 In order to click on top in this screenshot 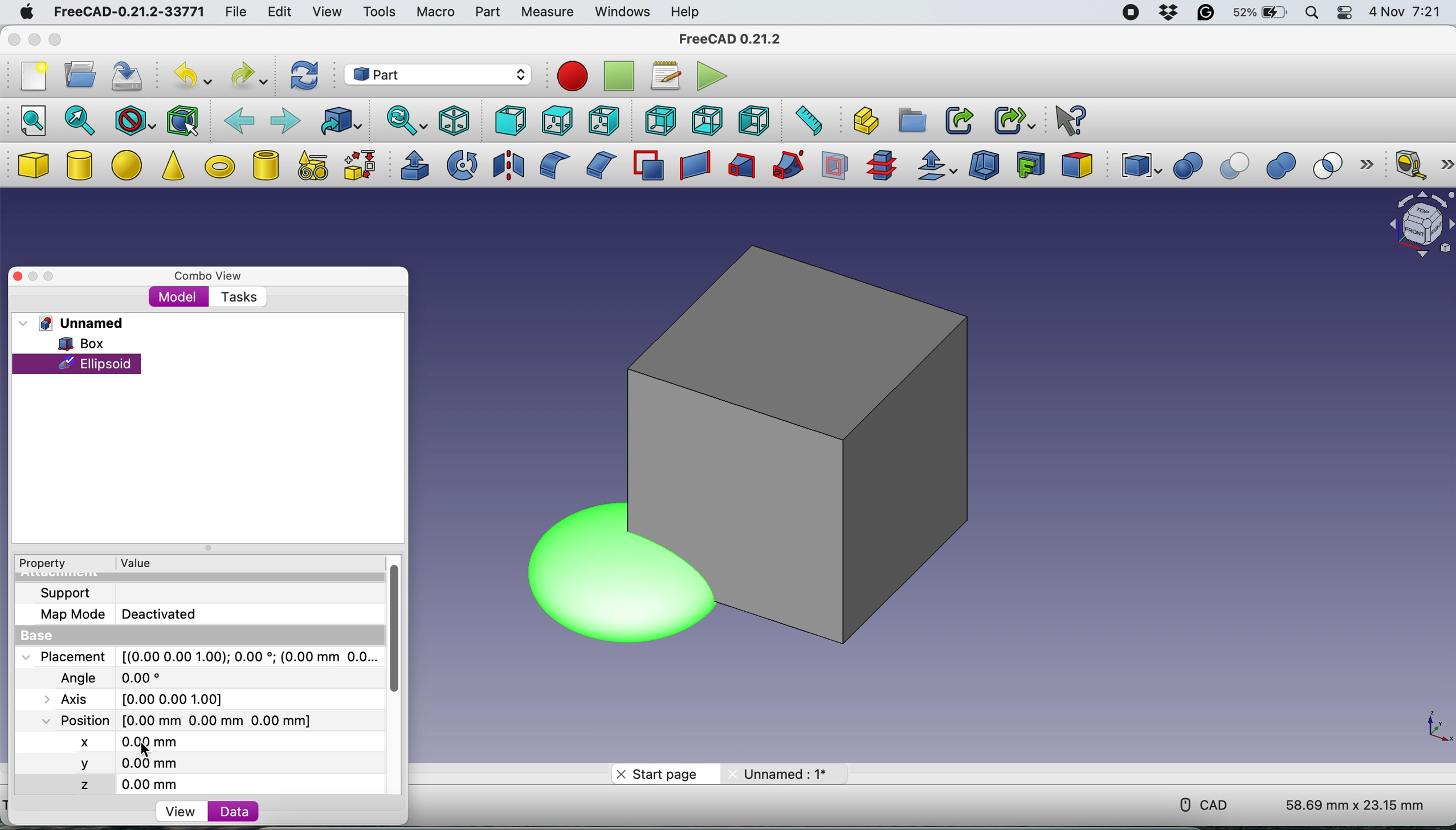, I will do `click(555, 120)`.